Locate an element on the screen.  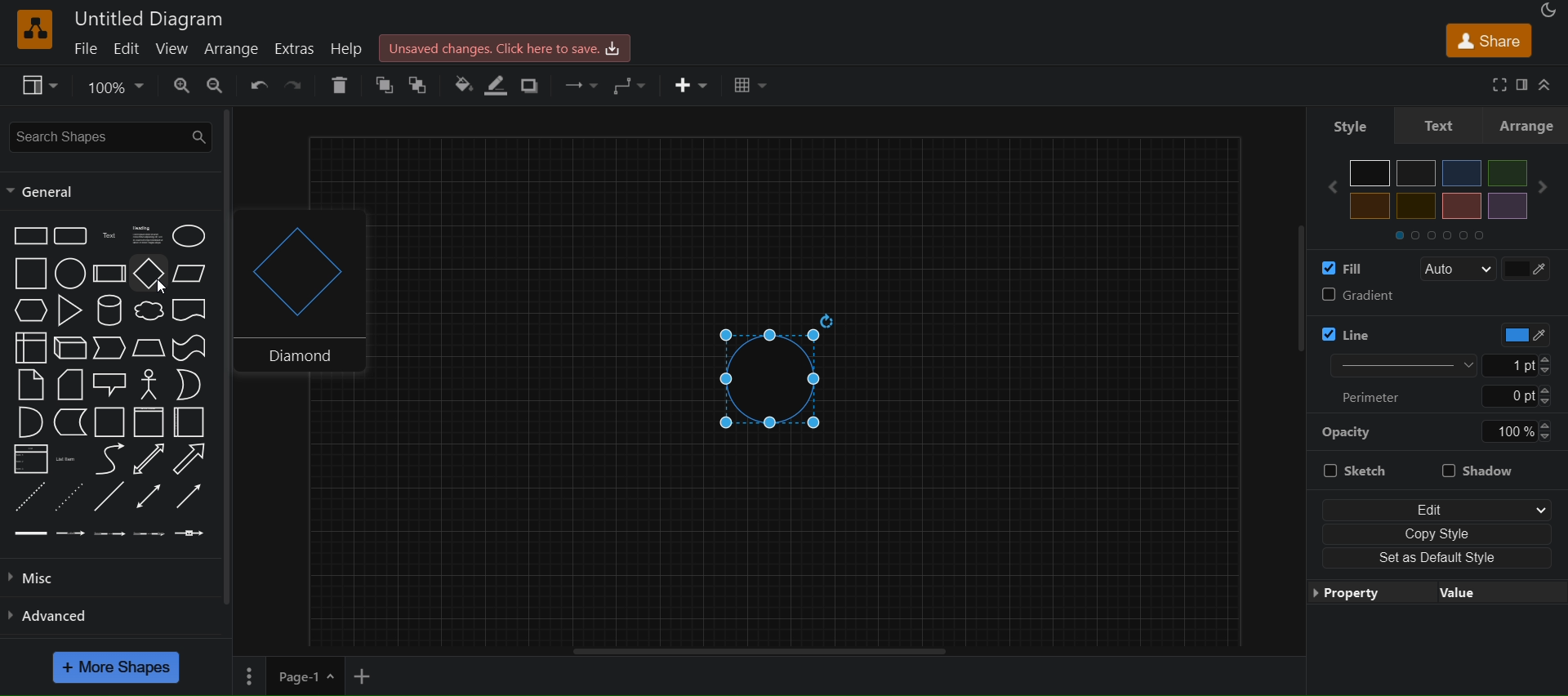
collapase/expand is located at coordinates (1548, 84).